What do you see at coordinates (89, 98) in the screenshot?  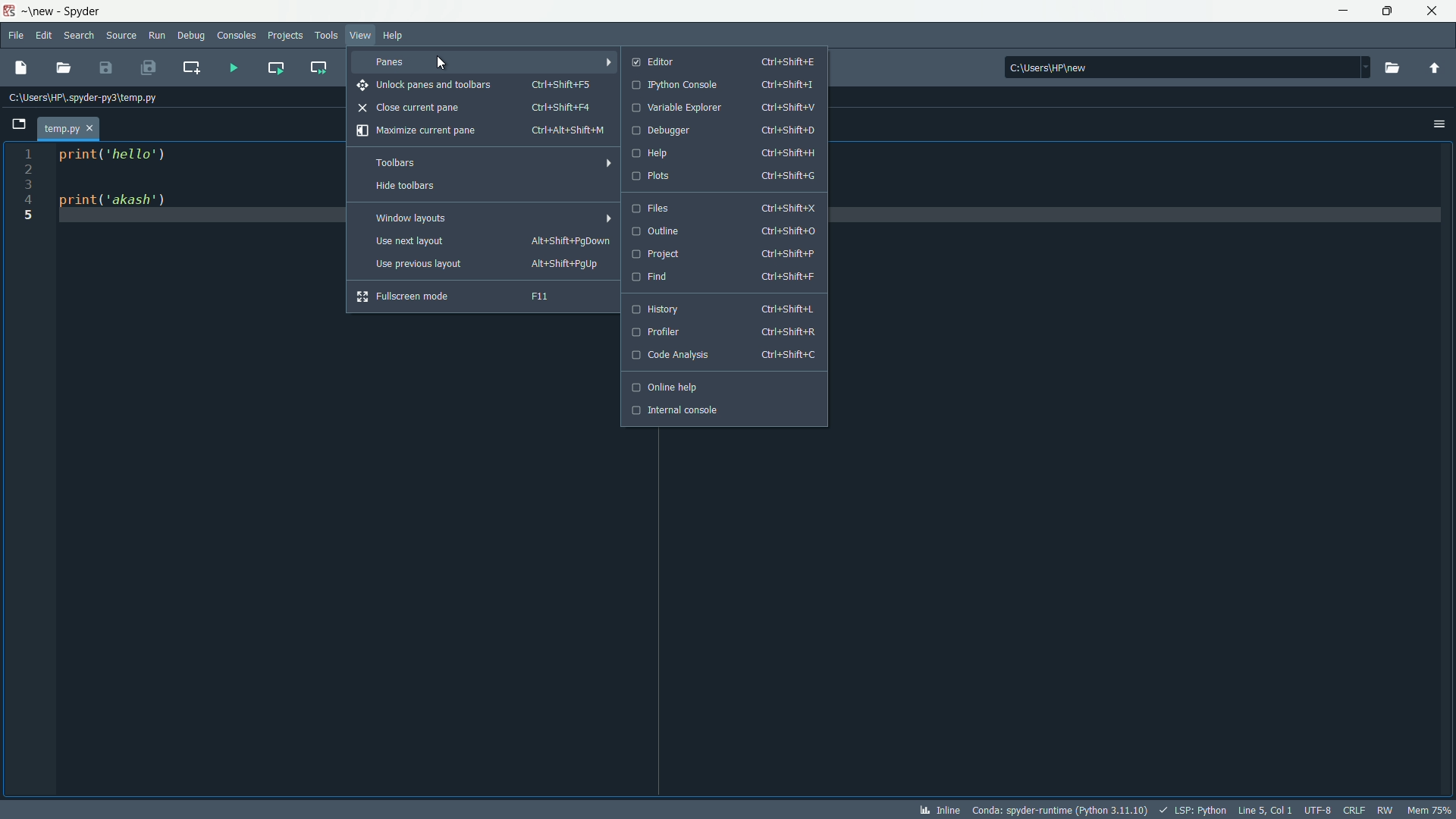 I see `Current path` at bounding box center [89, 98].